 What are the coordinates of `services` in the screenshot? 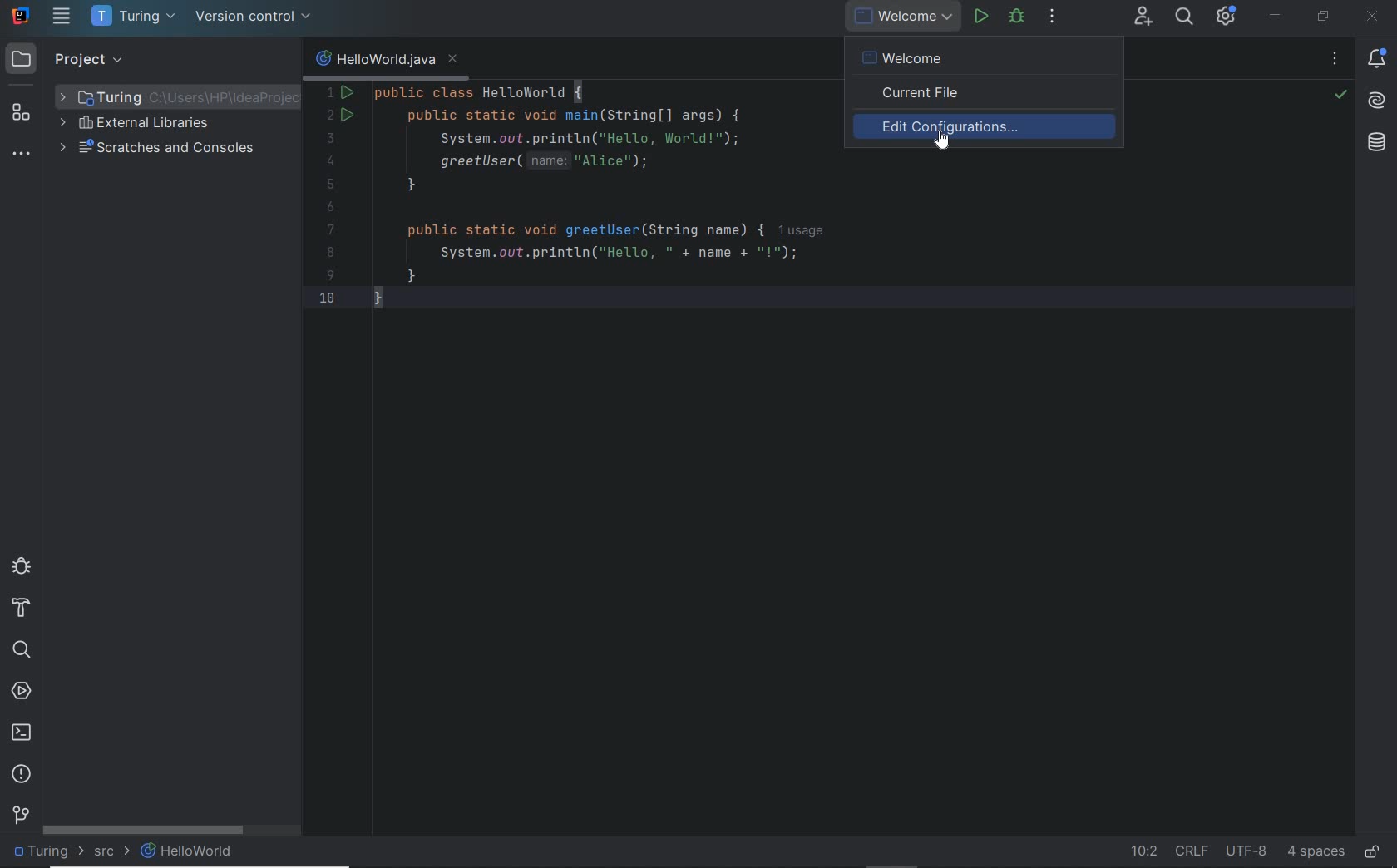 It's located at (22, 693).